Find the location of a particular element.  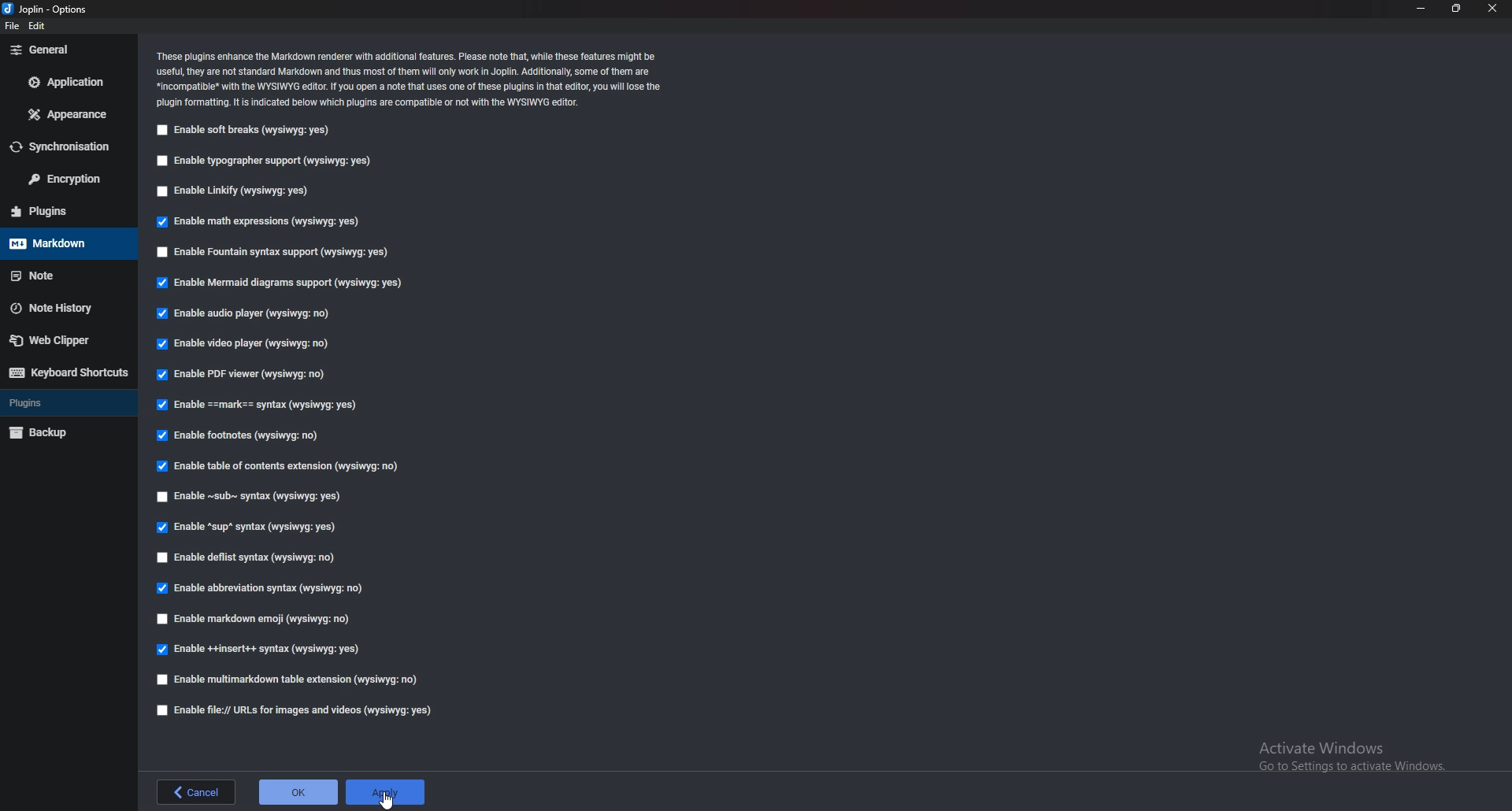

Enable audio player is located at coordinates (248, 313).